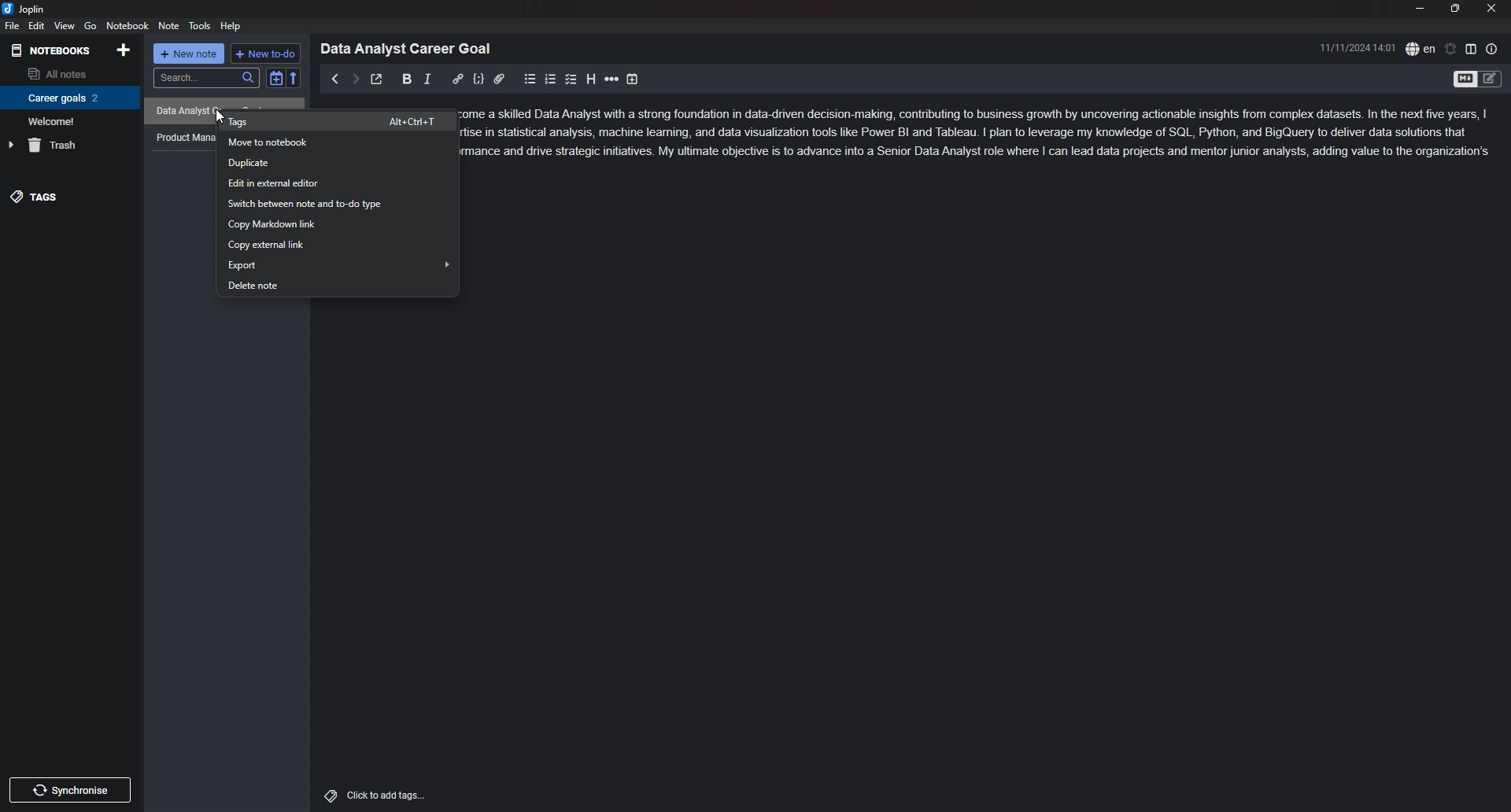  I want to click on italic, so click(427, 79).